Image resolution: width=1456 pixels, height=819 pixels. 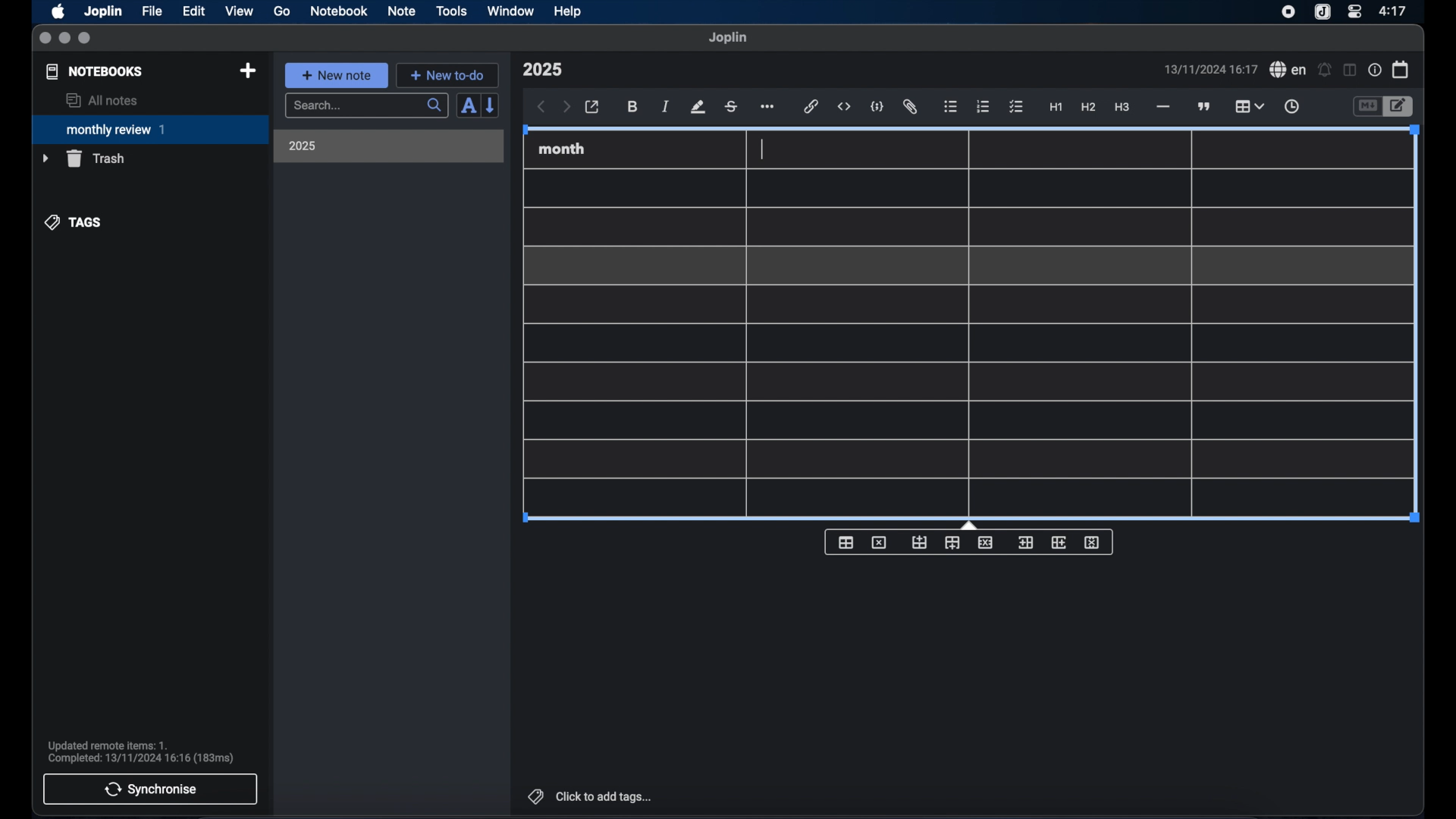 I want to click on insert column after, so click(x=1059, y=542).